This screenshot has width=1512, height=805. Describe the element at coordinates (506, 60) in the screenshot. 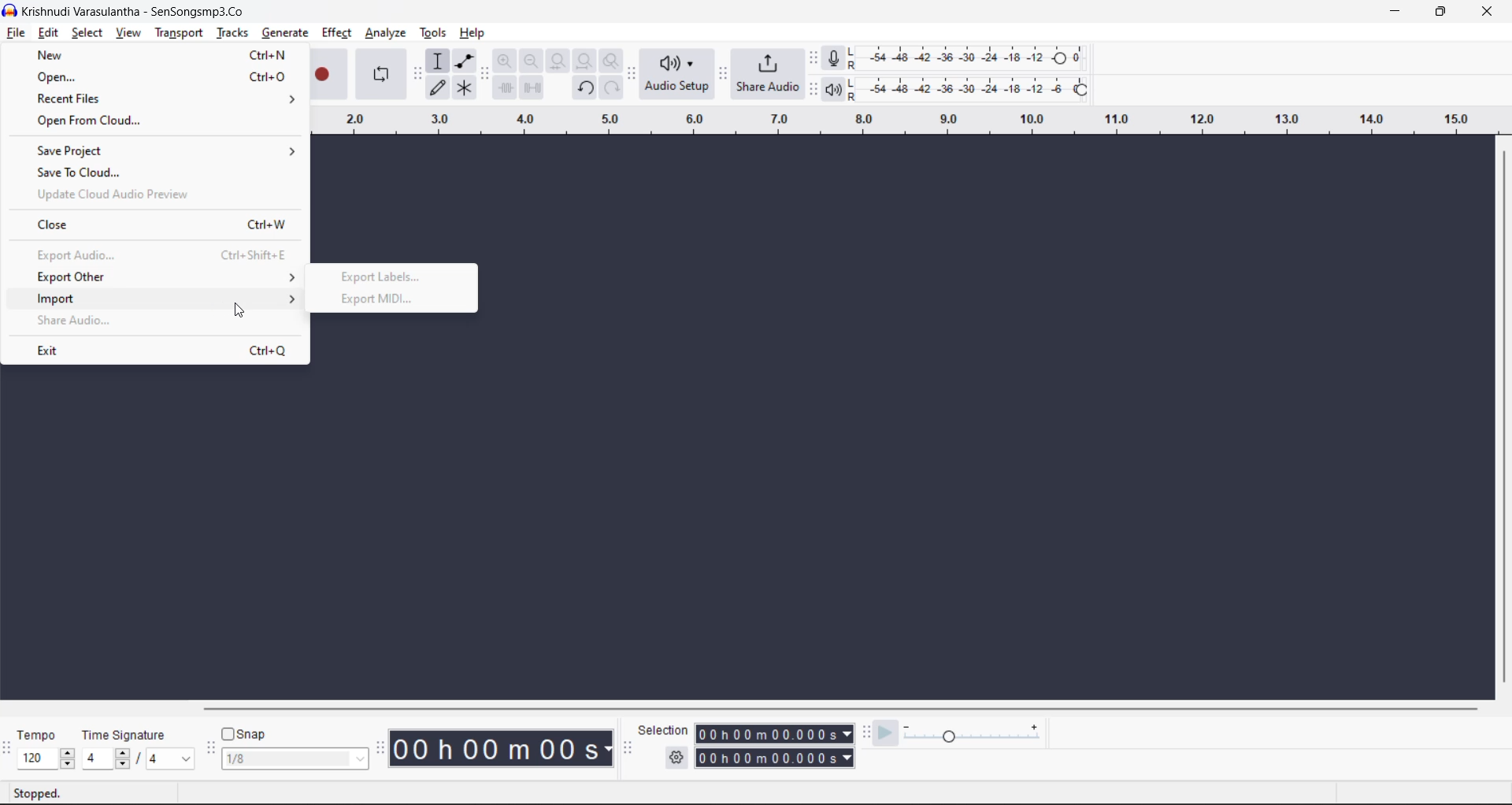

I see `zoom in` at that location.